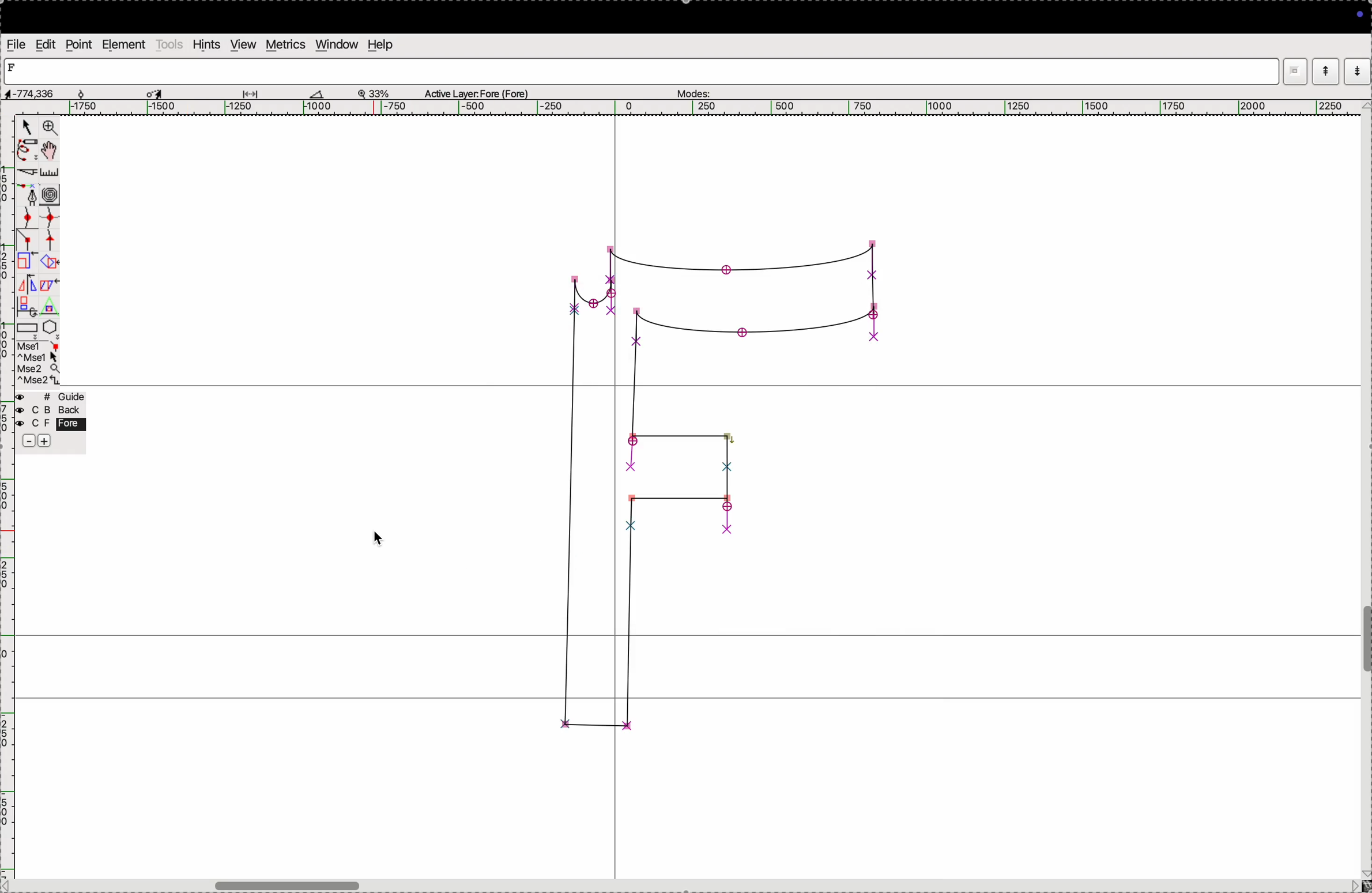 The width and height of the screenshot is (1372, 893). Describe the element at coordinates (337, 44) in the screenshot. I see `window` at that location.